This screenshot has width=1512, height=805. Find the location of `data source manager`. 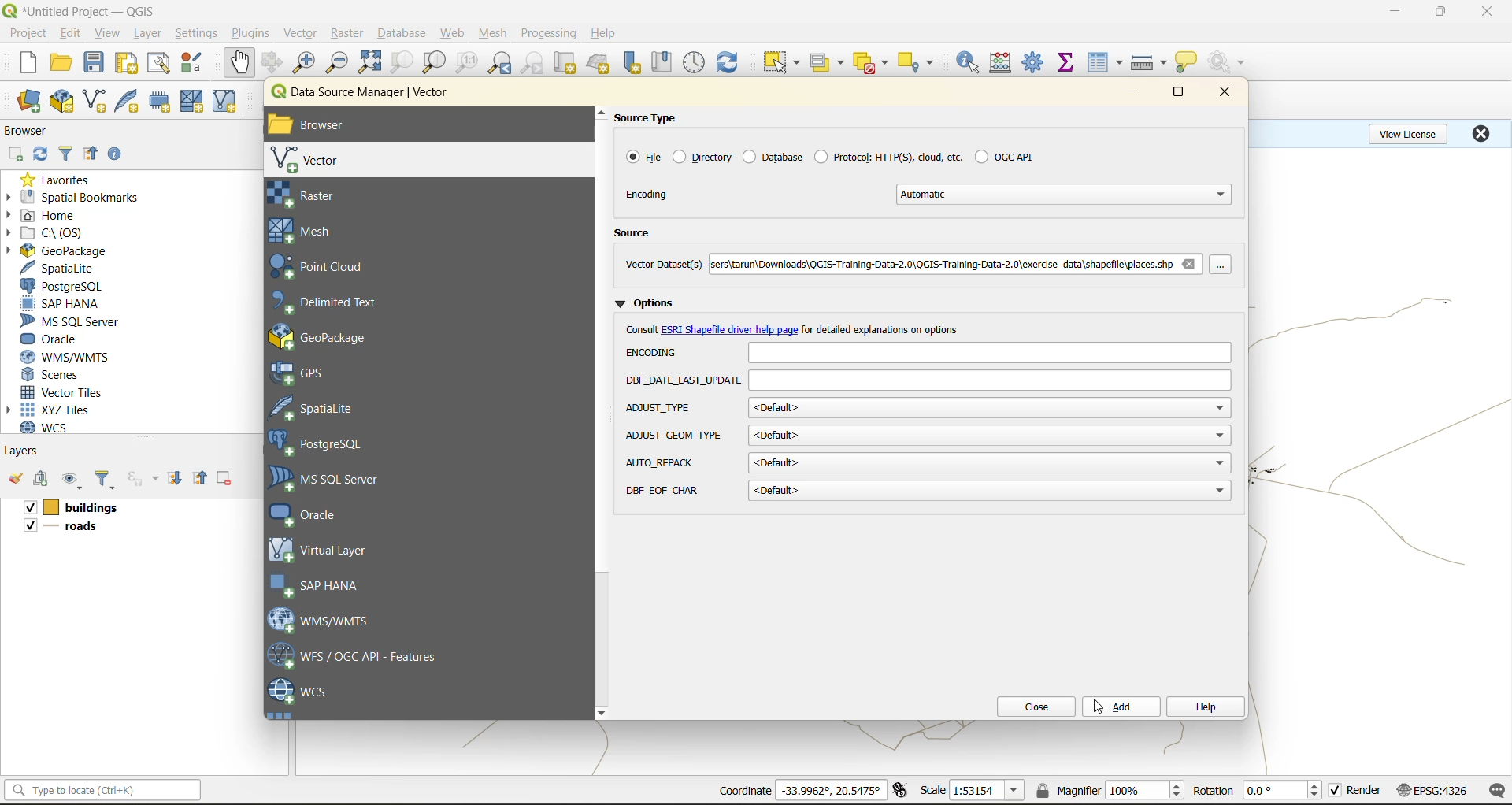

data source manager is located at coordinates (372, 95).